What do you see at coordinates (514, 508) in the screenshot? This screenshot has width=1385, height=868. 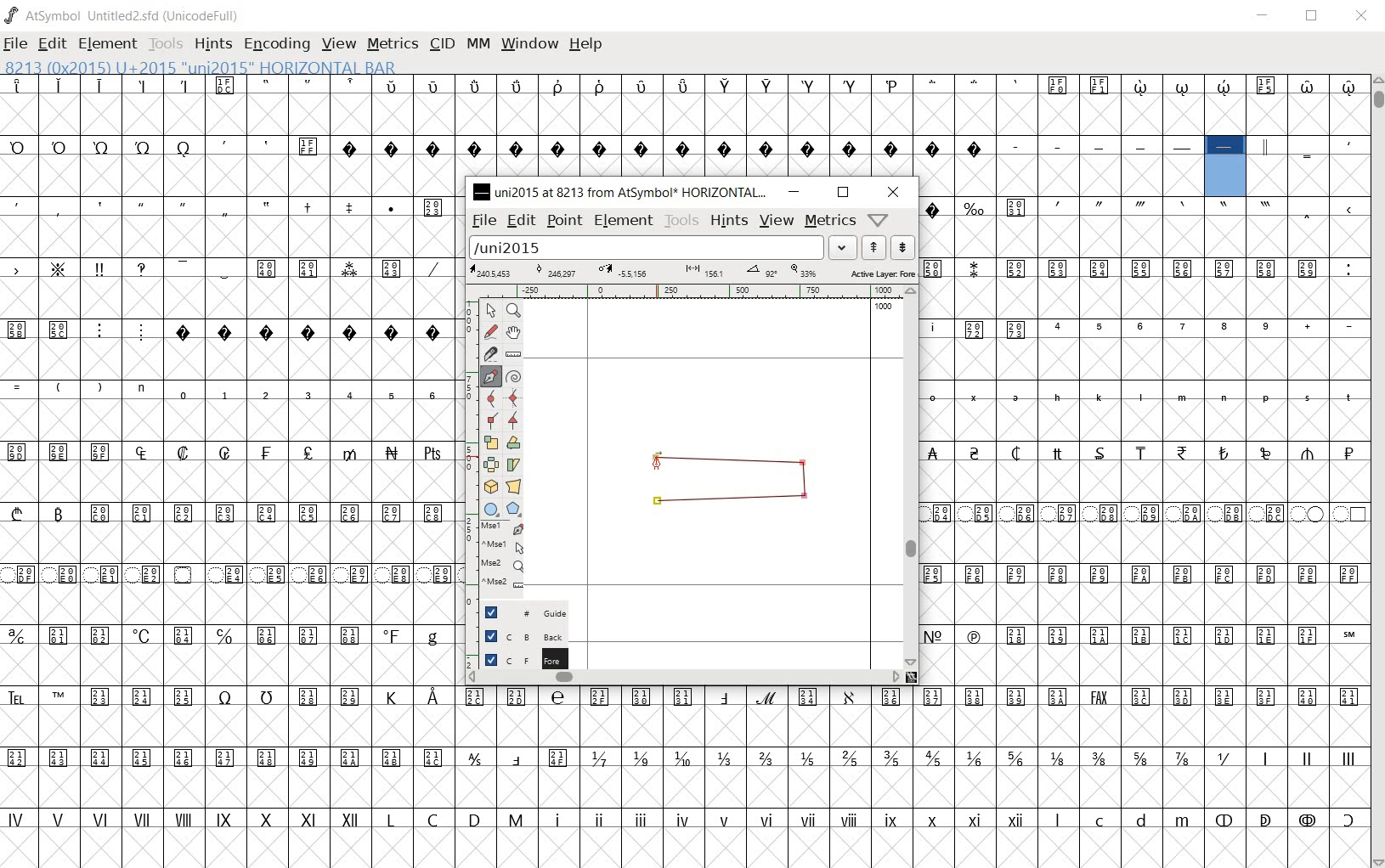 I see `polygon or star` at bounding box center [514, 508].